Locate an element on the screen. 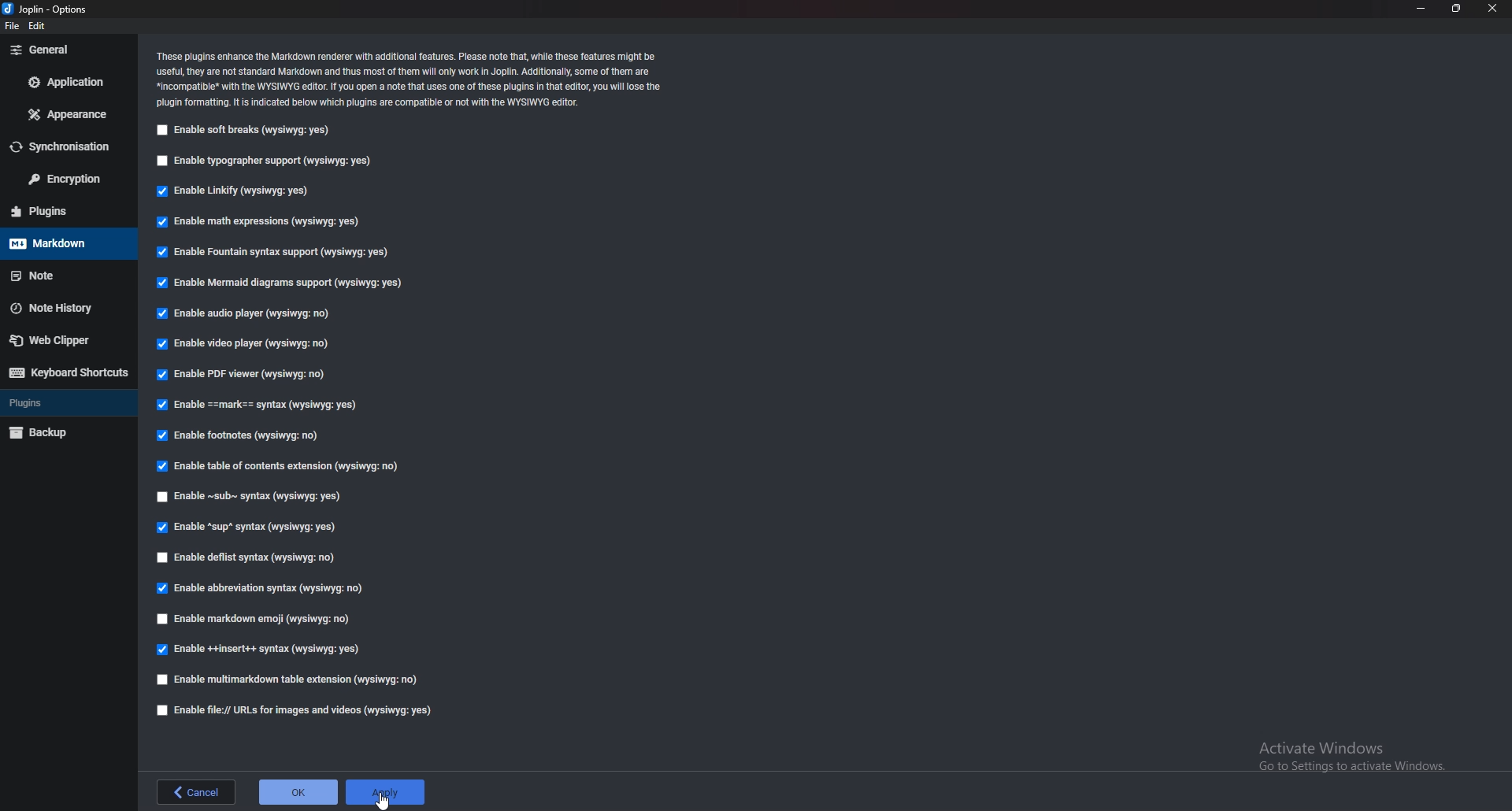 Image resolution: width=1512 pixels, height=811 pixels. ok is located at coordinates (298, 794).